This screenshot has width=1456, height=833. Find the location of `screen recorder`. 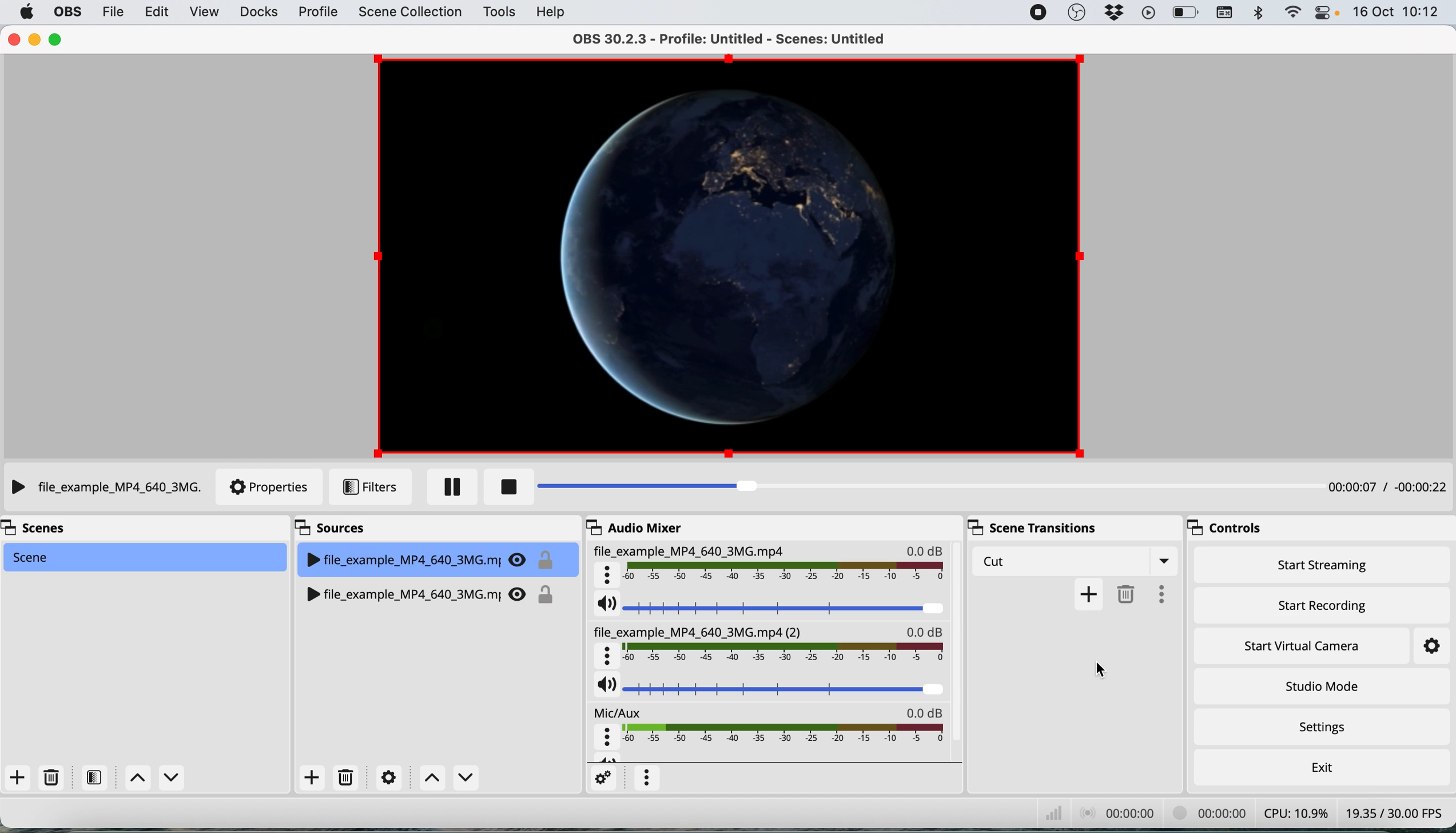

screen recorder is located at coordinates (1037, 13).